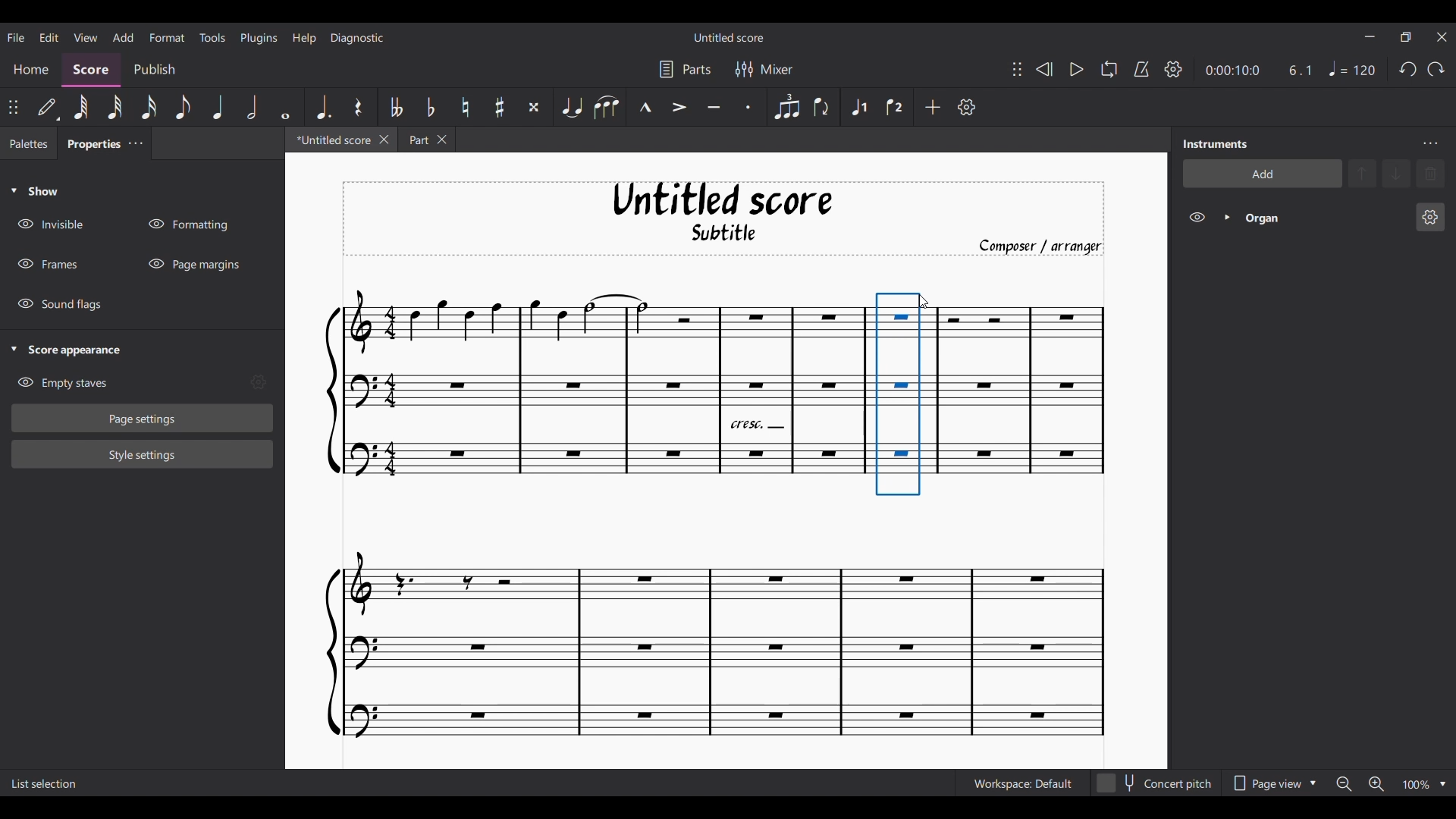 Image resolution: width=1456 pixels, height=819 pixels. I want to click on Empty stave settings, so click(258, 382).